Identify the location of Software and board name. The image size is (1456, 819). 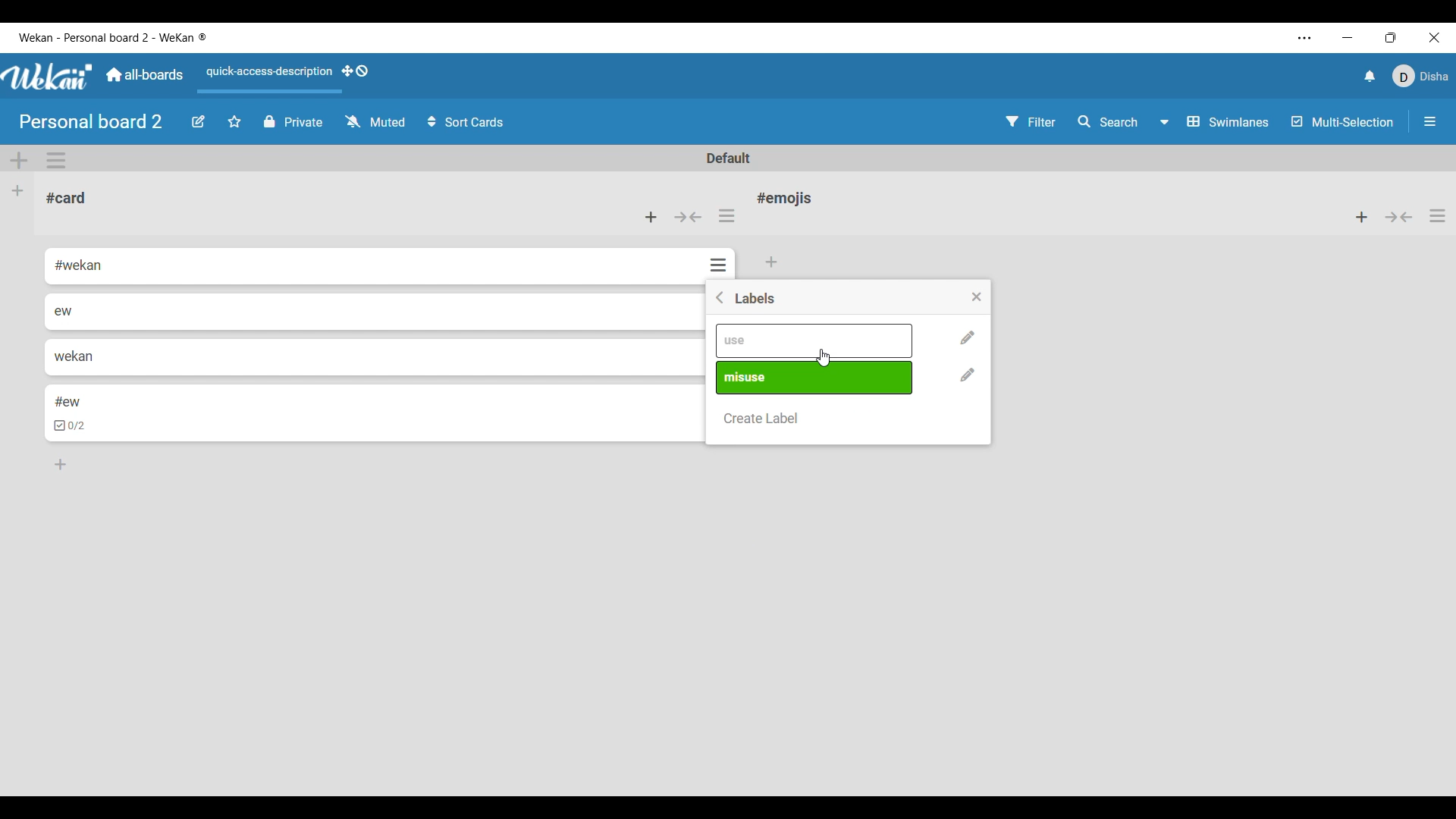
(111, 37).